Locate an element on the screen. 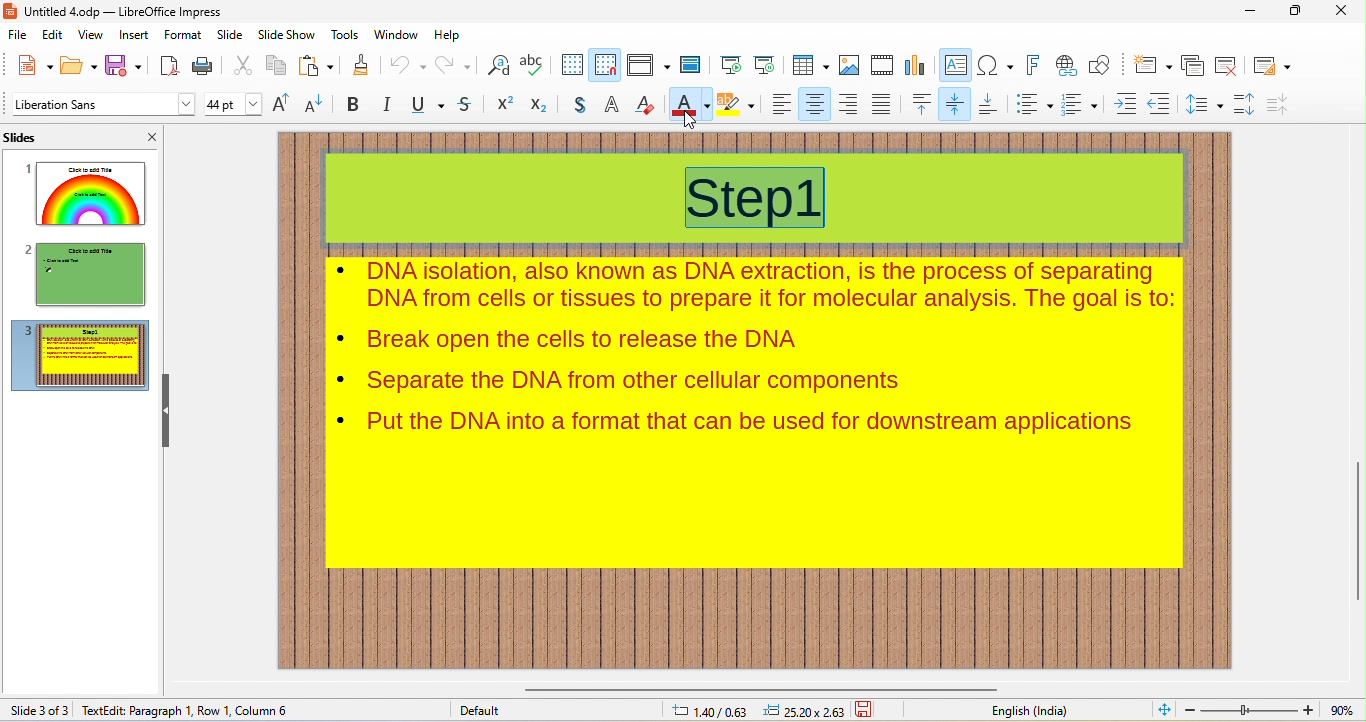 The width and height of the screenshot is (1366, 722). increase indent is located at coordinates (1126, 103).